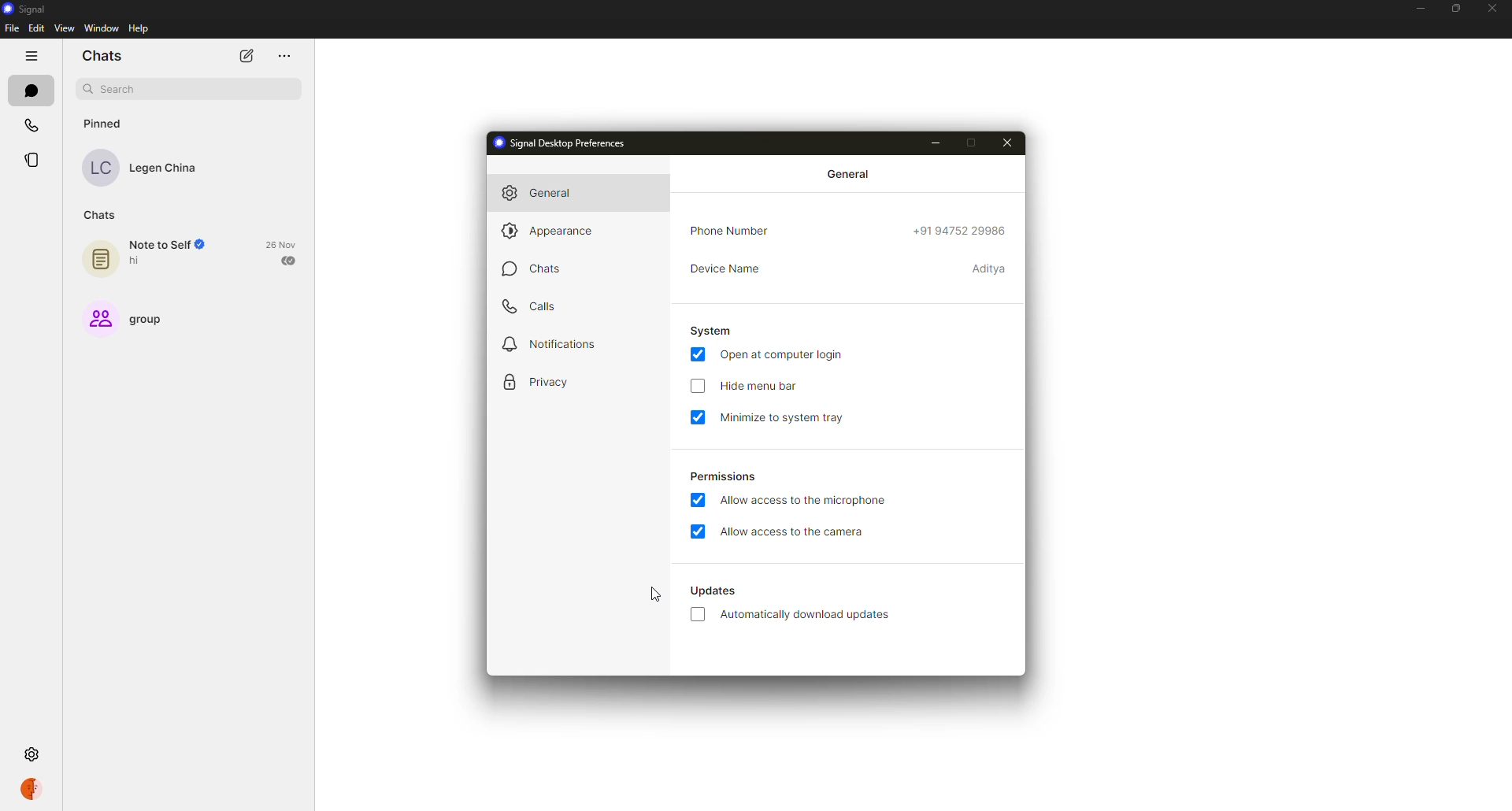 The image size is (1512, 811). What do you see at coordinates (542, 268) in the screenshot?
I see `chats` at bounding box center [542, 268].